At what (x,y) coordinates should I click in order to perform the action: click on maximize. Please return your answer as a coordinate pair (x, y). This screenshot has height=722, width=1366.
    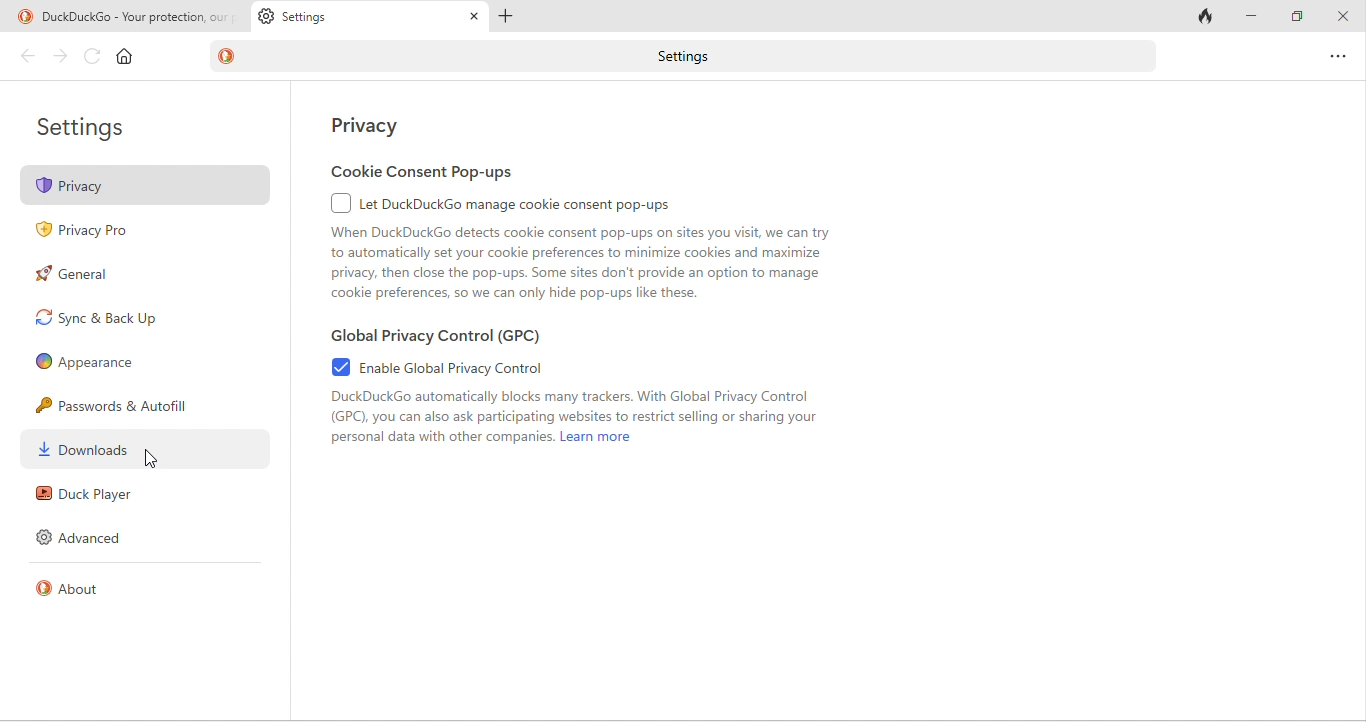
    Looking at the image, I should click on (1294, 17).